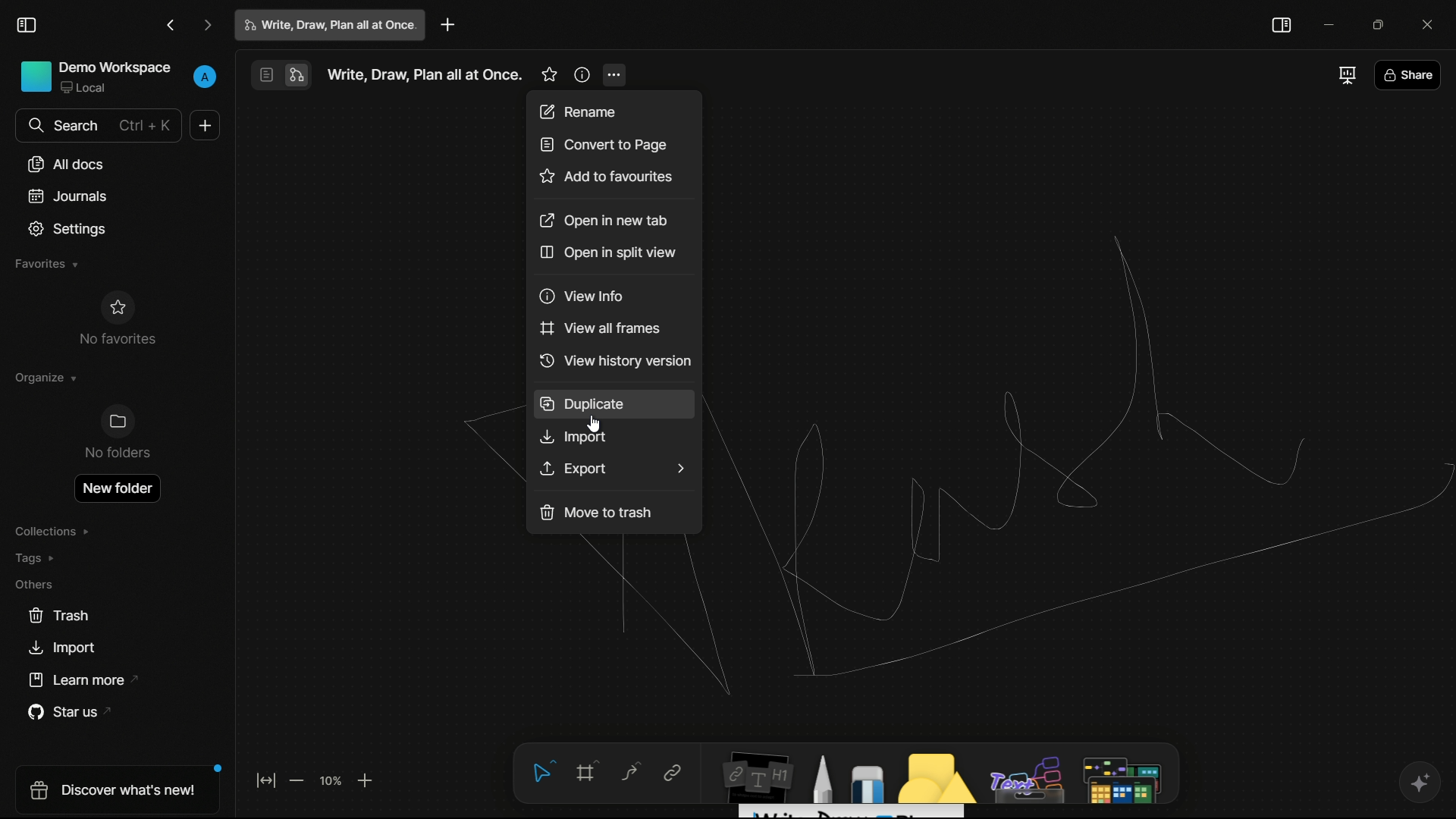 The width and height of the screenshot is (1456, 819). What do you see at coordinates (52, 532) in the screenshot?
I see `collections` at bounding box center [52, 532].